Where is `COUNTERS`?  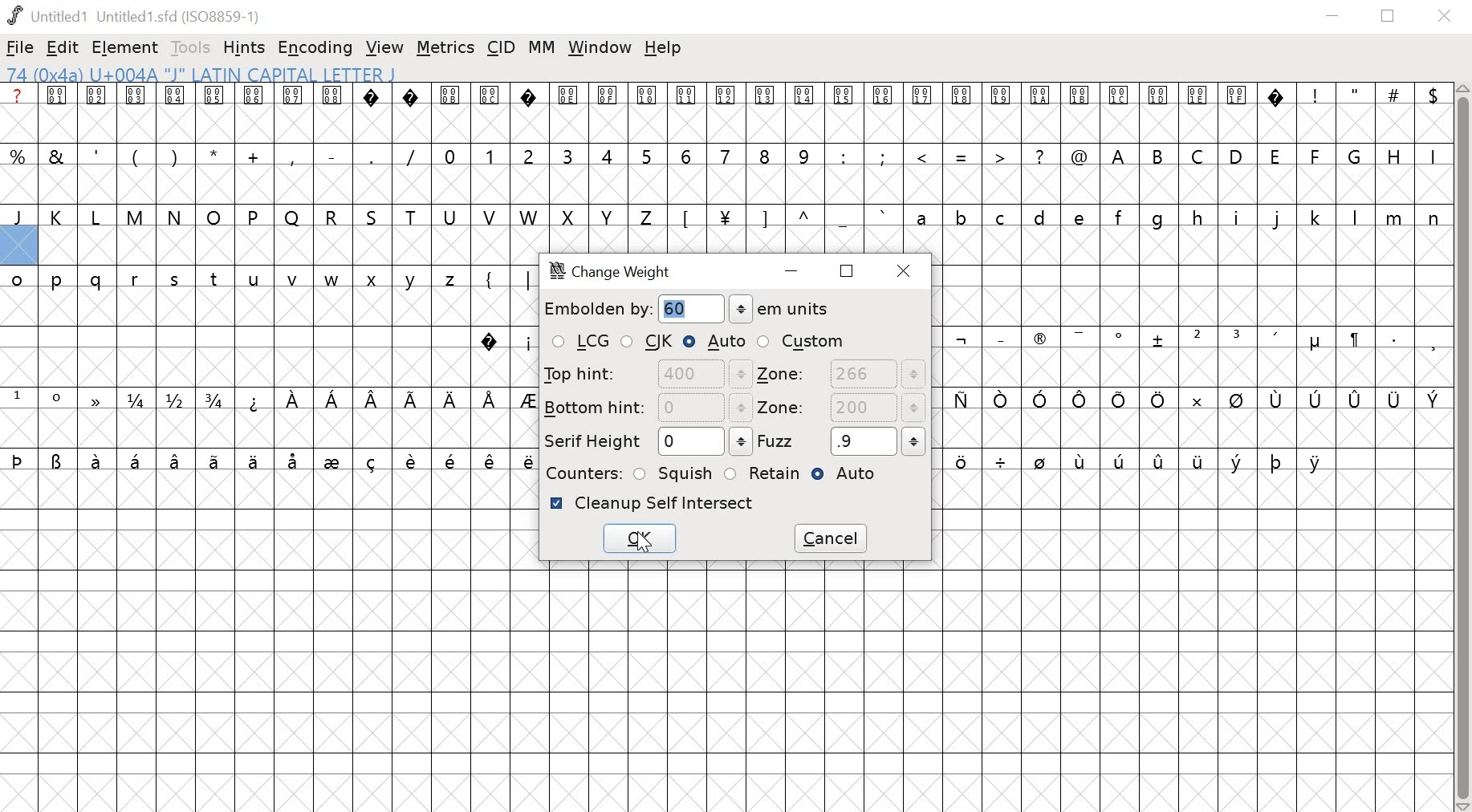
COUNTERS is located at coordinates (581, 473).